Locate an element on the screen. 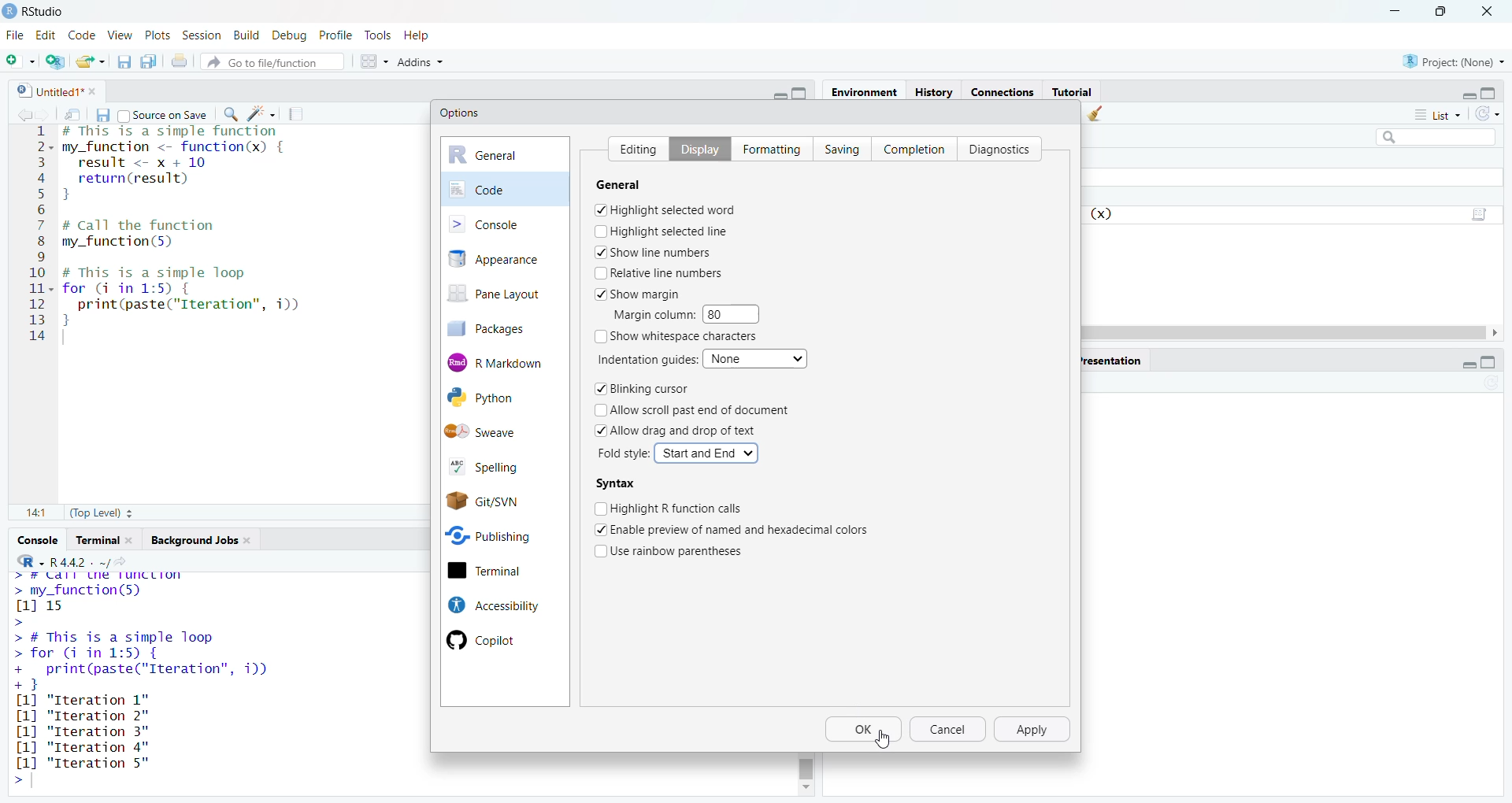  R 4.4.2 . ~/ is located at coordinates (80, 561).